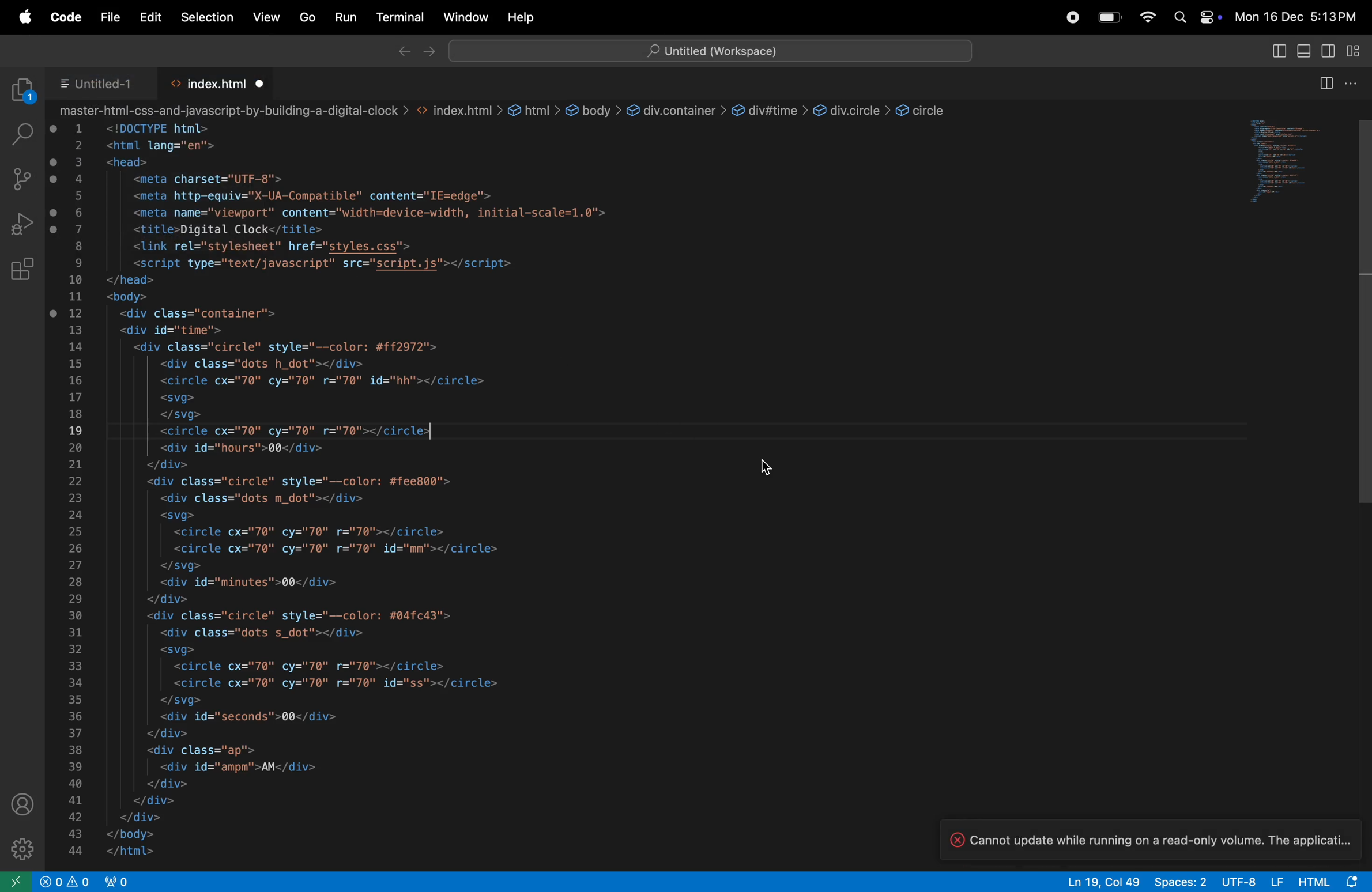  Describe the element at coordinates (65, 880) in the screenshot. I see `alert` at that location.